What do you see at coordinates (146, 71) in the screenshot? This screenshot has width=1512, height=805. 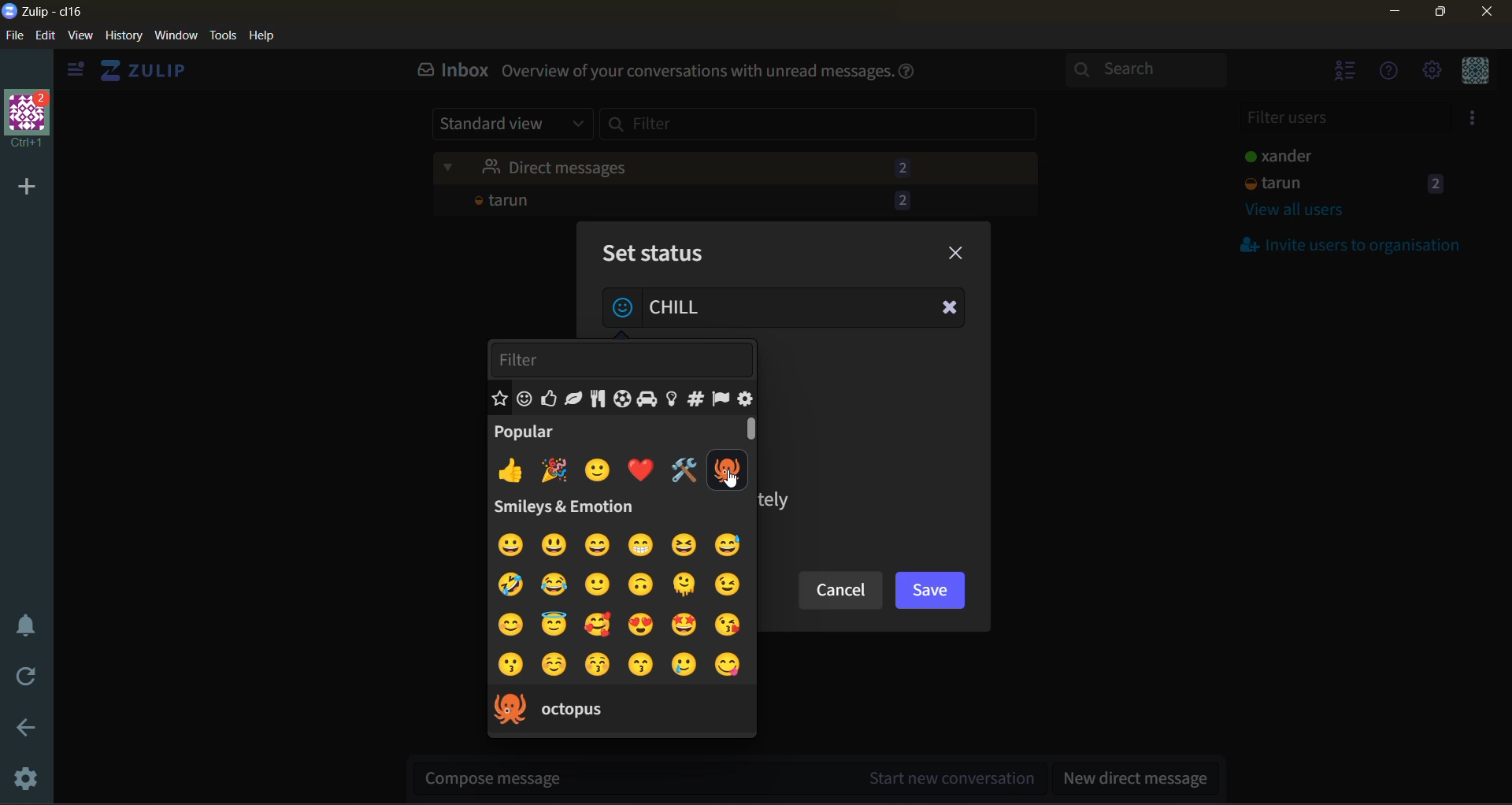 I see `view home` at bounding box center [146, 71].